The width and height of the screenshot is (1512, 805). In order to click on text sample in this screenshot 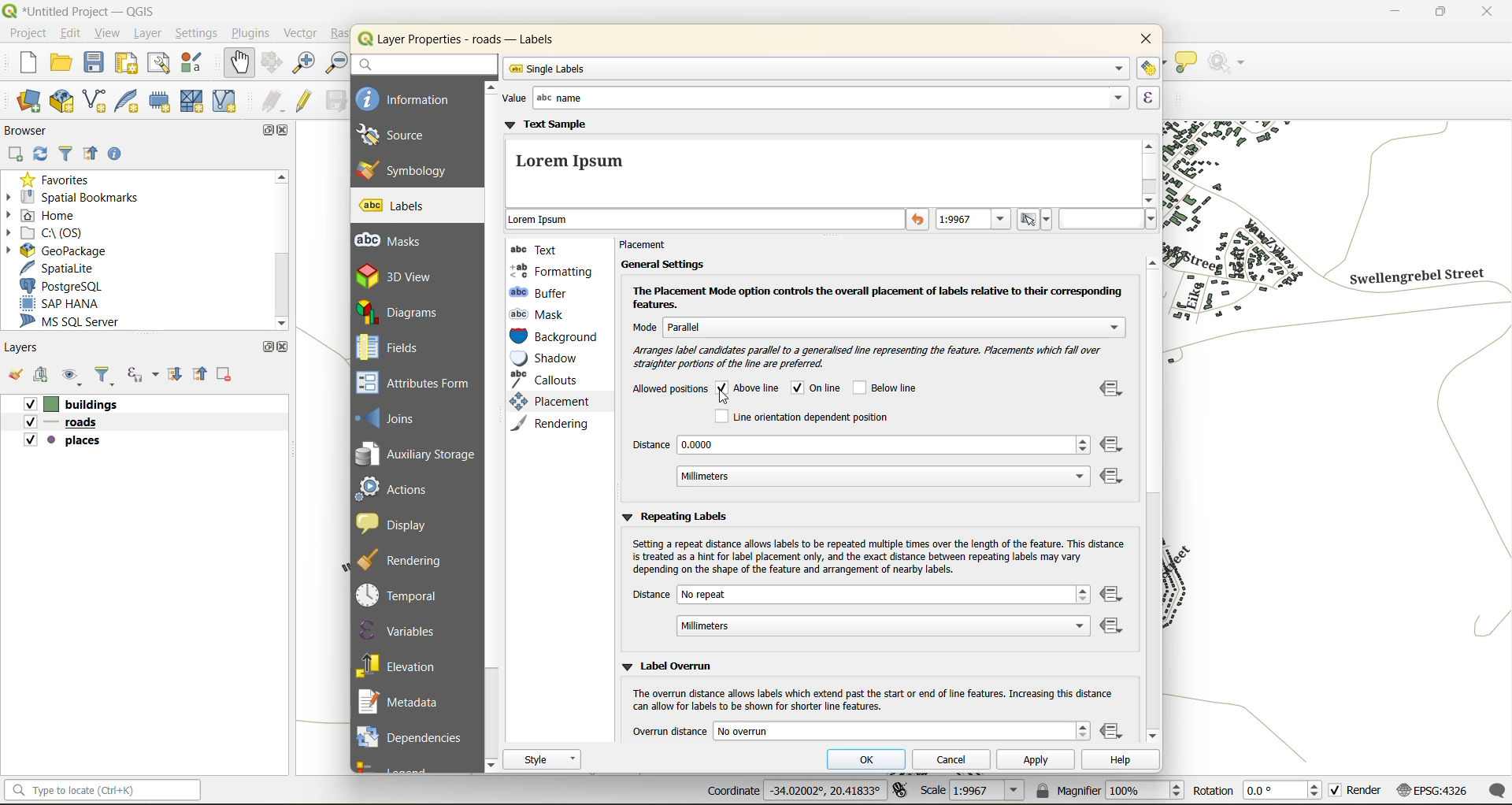, I will do `click(821, 162)`.